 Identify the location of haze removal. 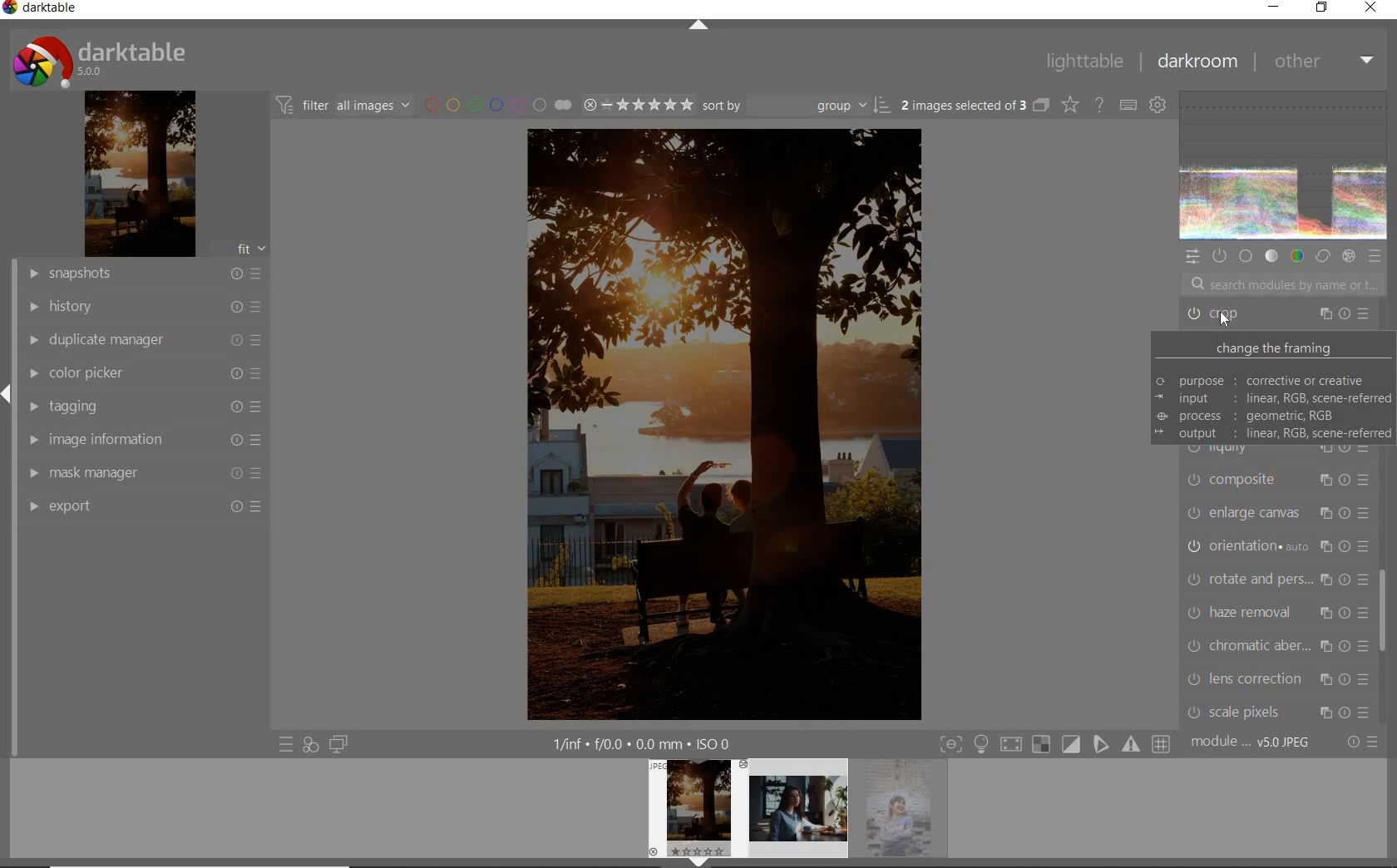
(1277, 611).